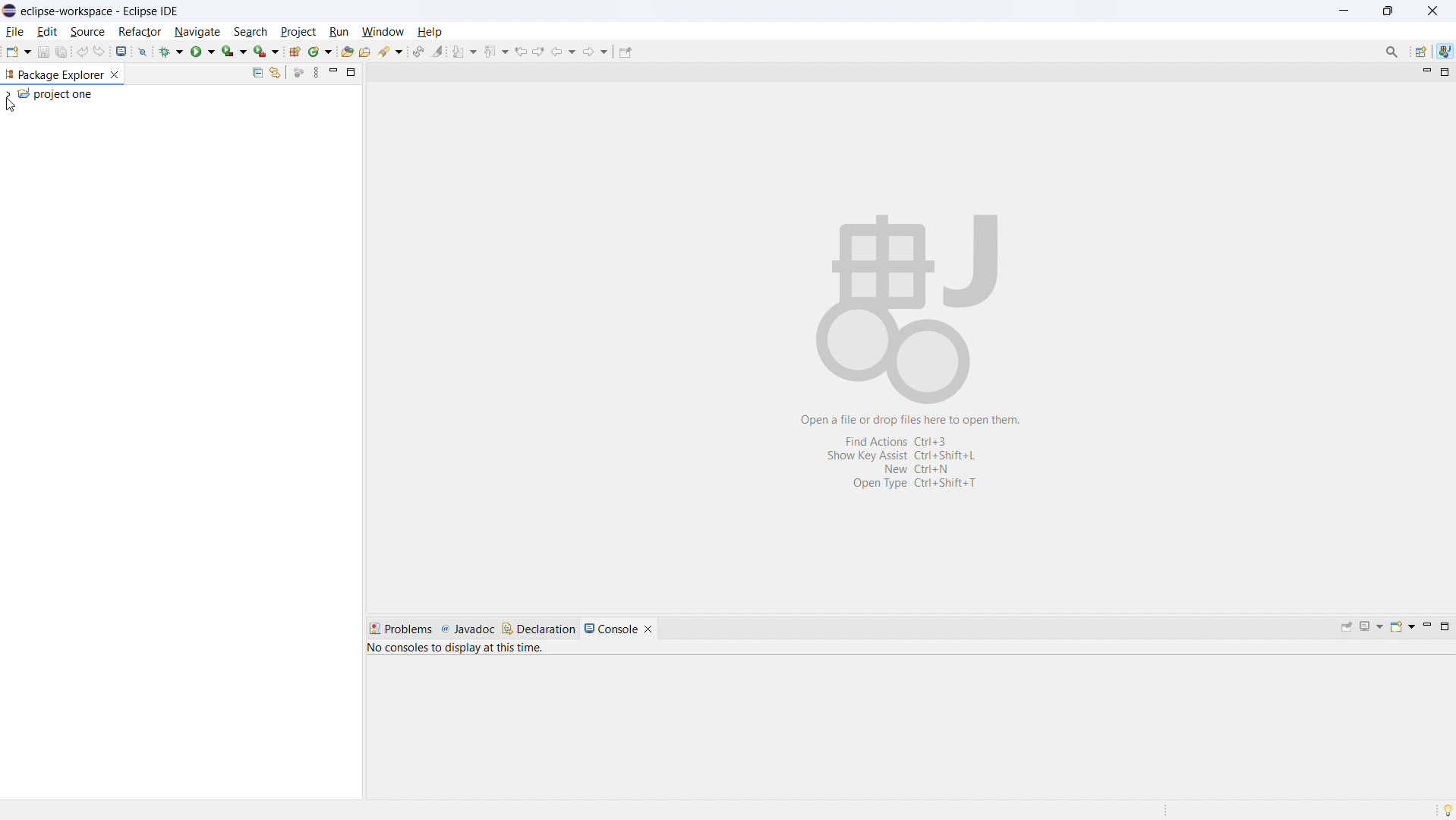 Image resolution: width=1456 pixels, height=820 pixels. I want to click on redo, so click(99, 51).